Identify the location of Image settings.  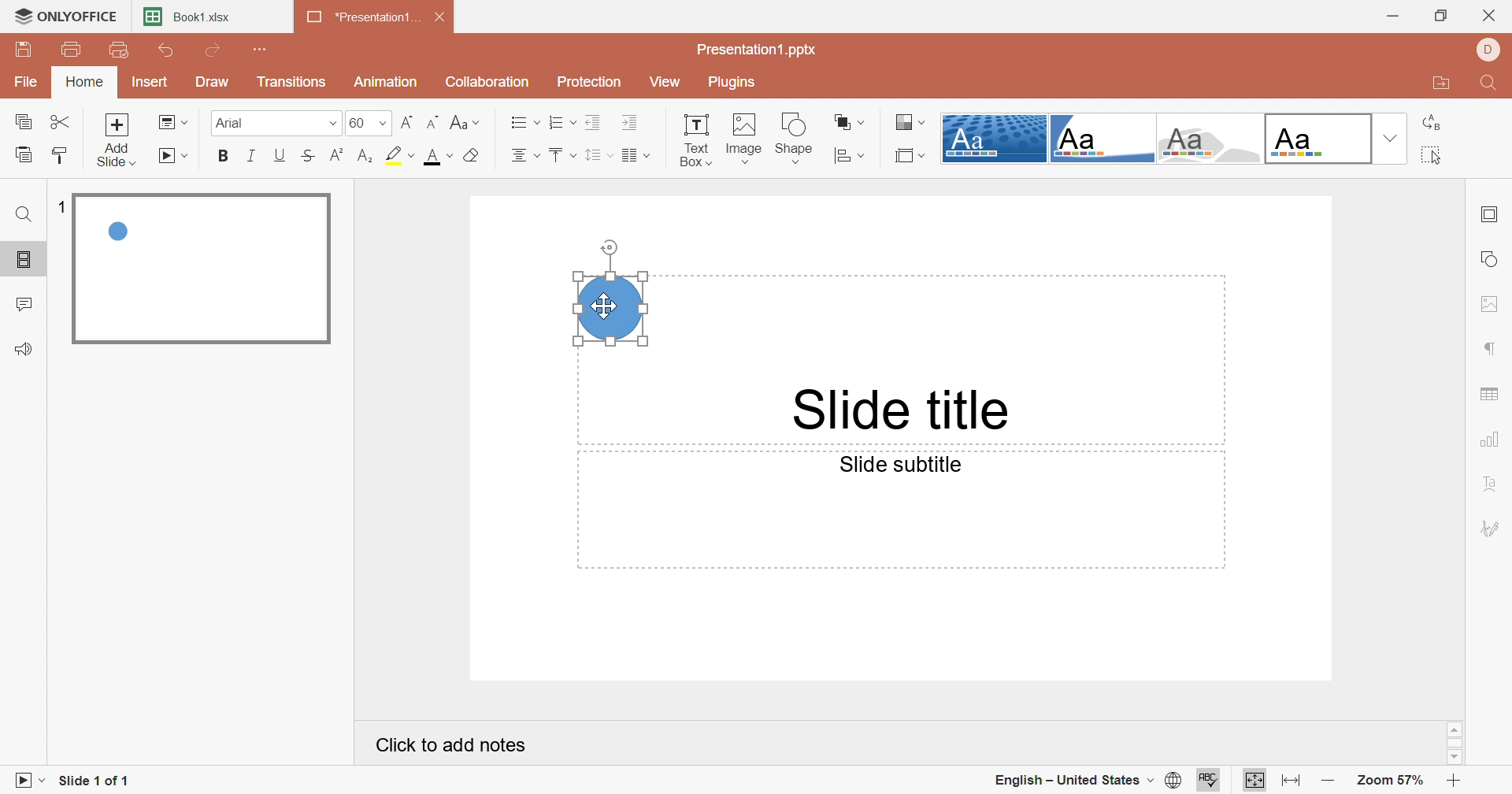
(1492, 304).